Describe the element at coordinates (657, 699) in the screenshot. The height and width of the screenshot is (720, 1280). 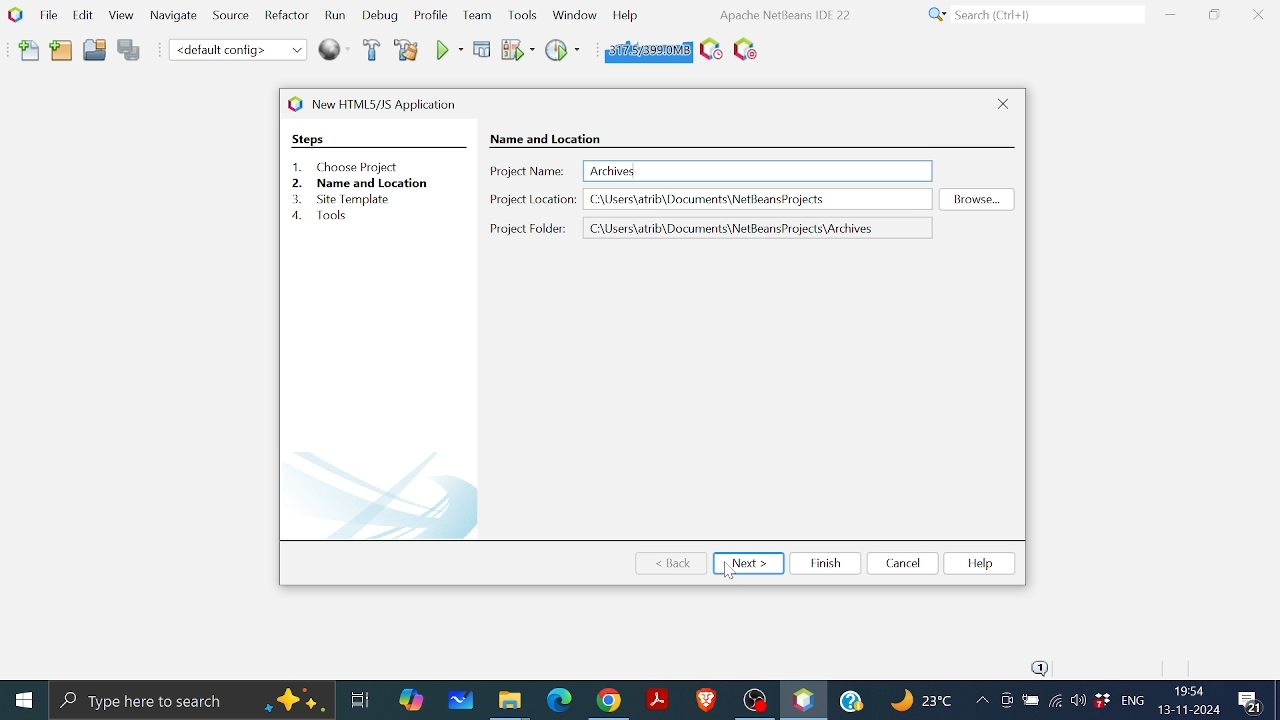
I see `Adobe reader` at that location.